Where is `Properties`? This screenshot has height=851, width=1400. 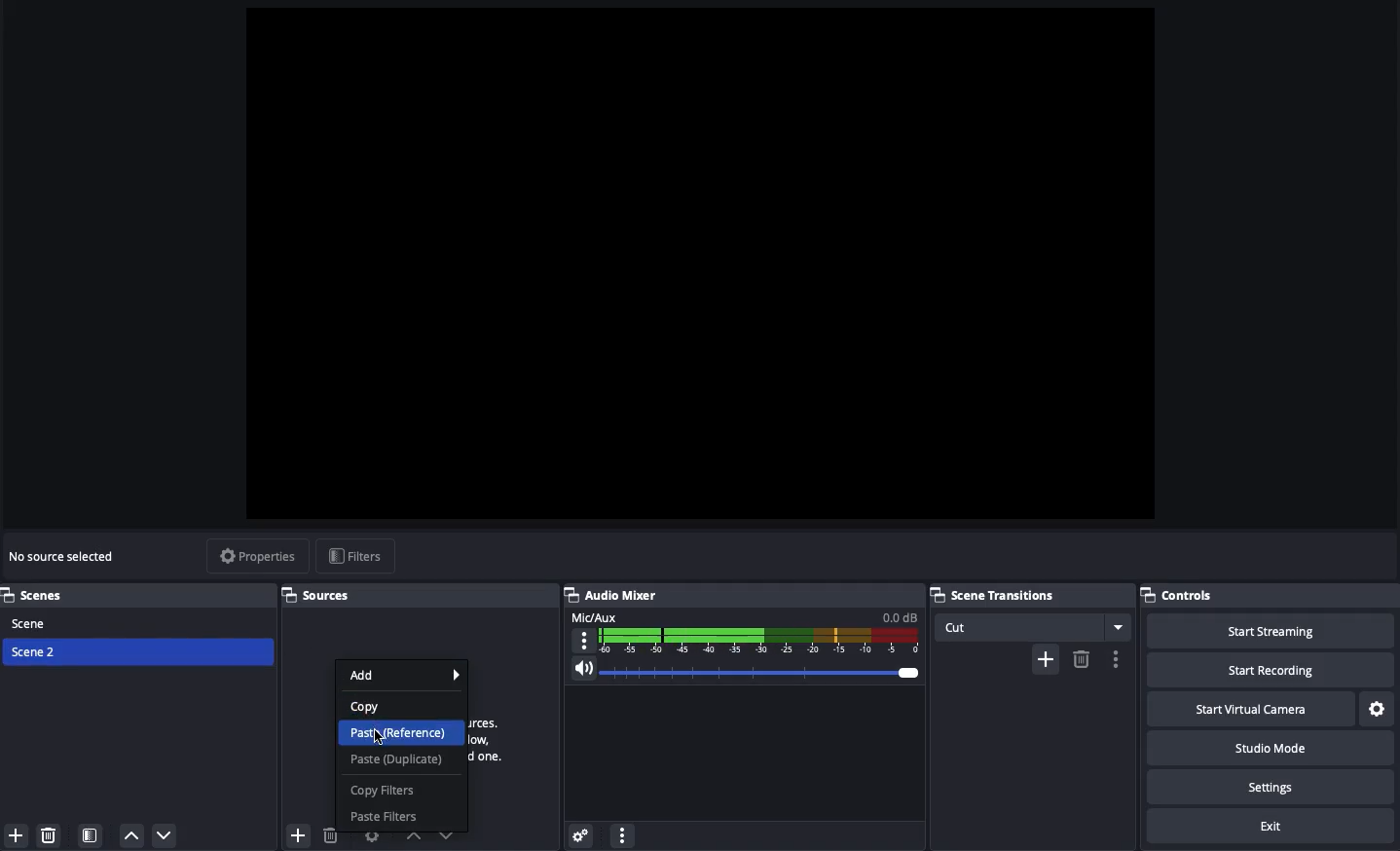
Properties is located at coordinates (257, 555).